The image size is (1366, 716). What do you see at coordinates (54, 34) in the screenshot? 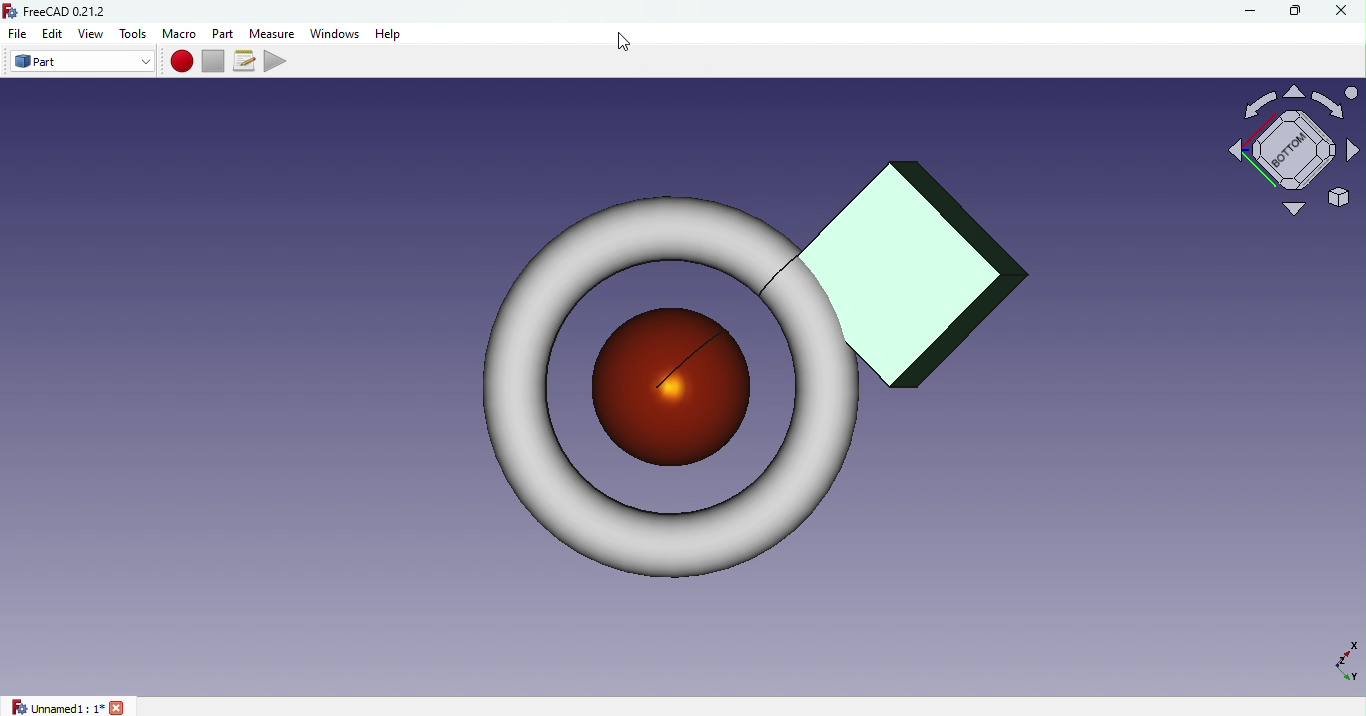
I see `Edit` at bounding box center [54, 34].